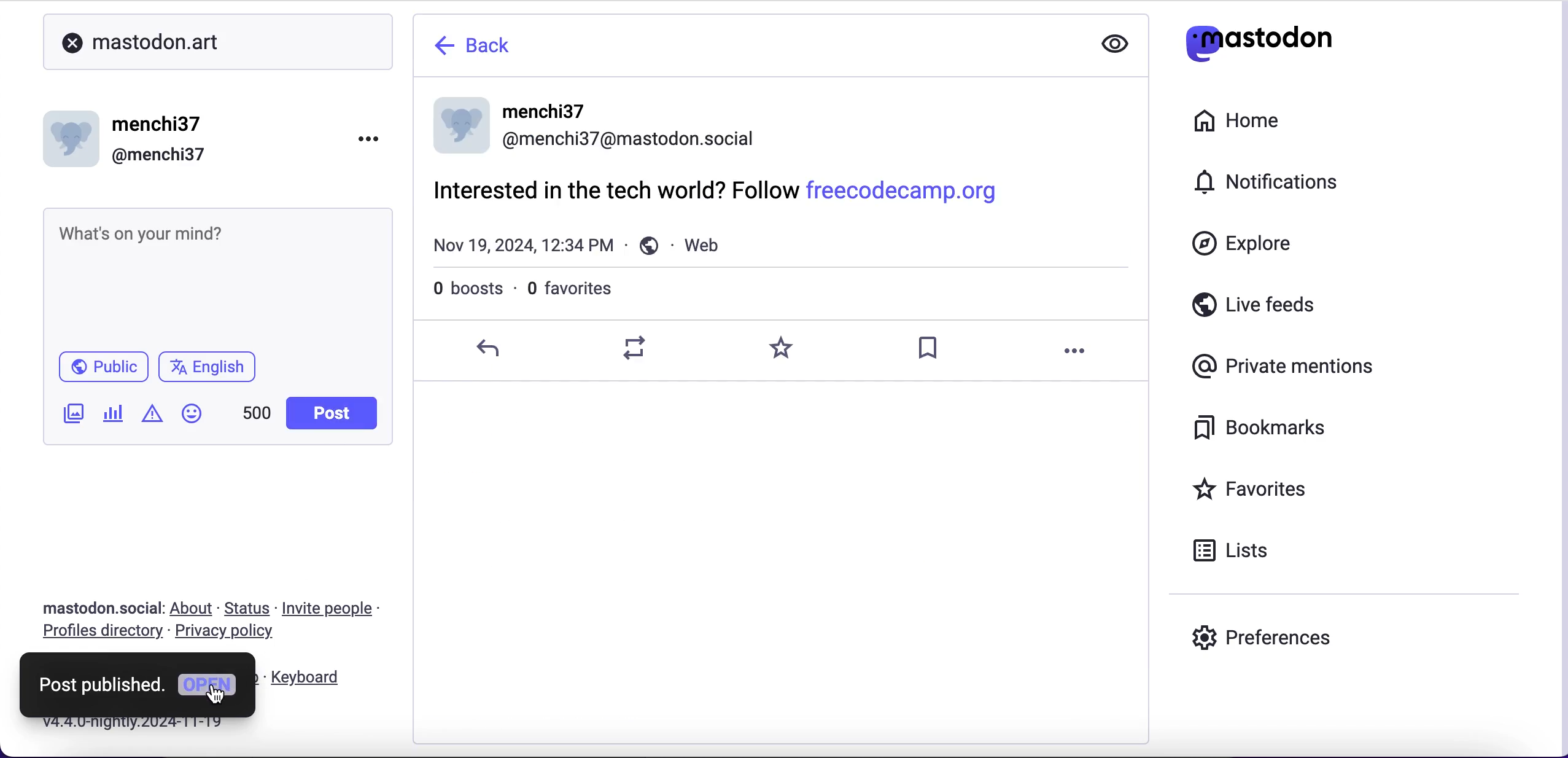 This screenshot has width=1568, height=758. What do you see at coordinates (1260, 641) in the screenshot?
I see `preferences` at bounding box center [1260, 641].